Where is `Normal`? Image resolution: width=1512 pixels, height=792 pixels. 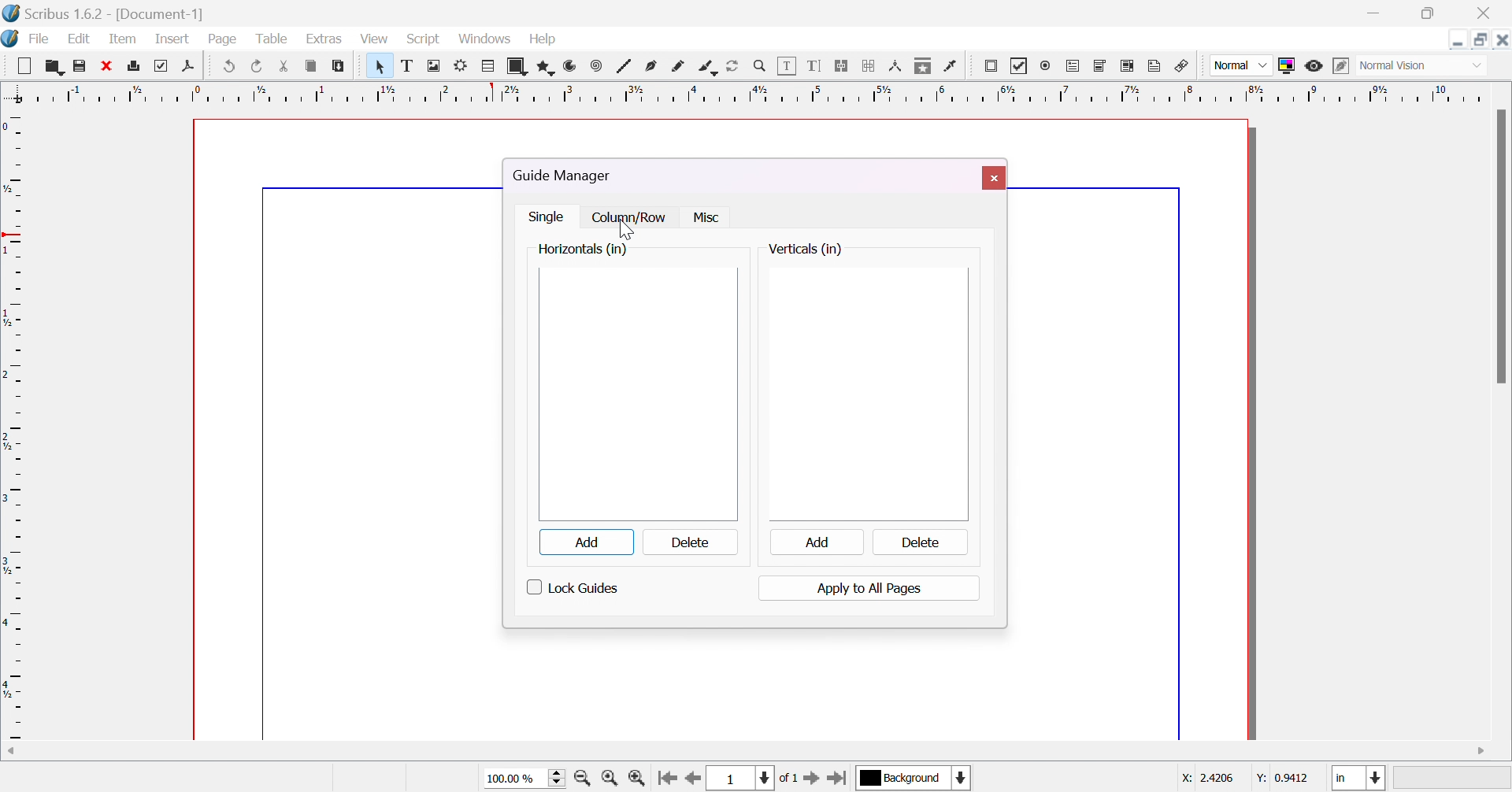
Normal is located at coordinates (1240, 65).